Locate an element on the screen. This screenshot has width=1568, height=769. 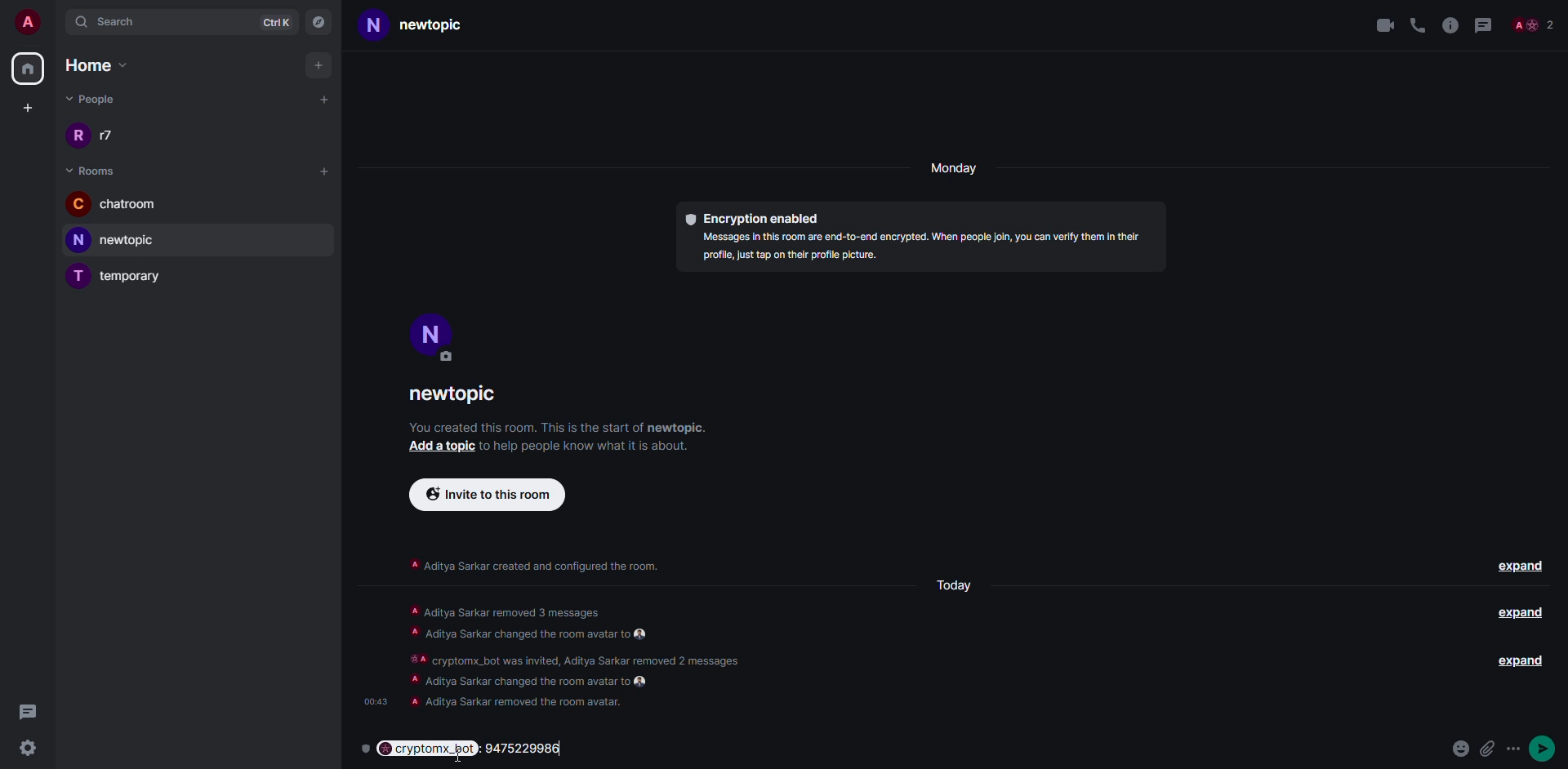
Phone number is located at coordinates (537, 748).